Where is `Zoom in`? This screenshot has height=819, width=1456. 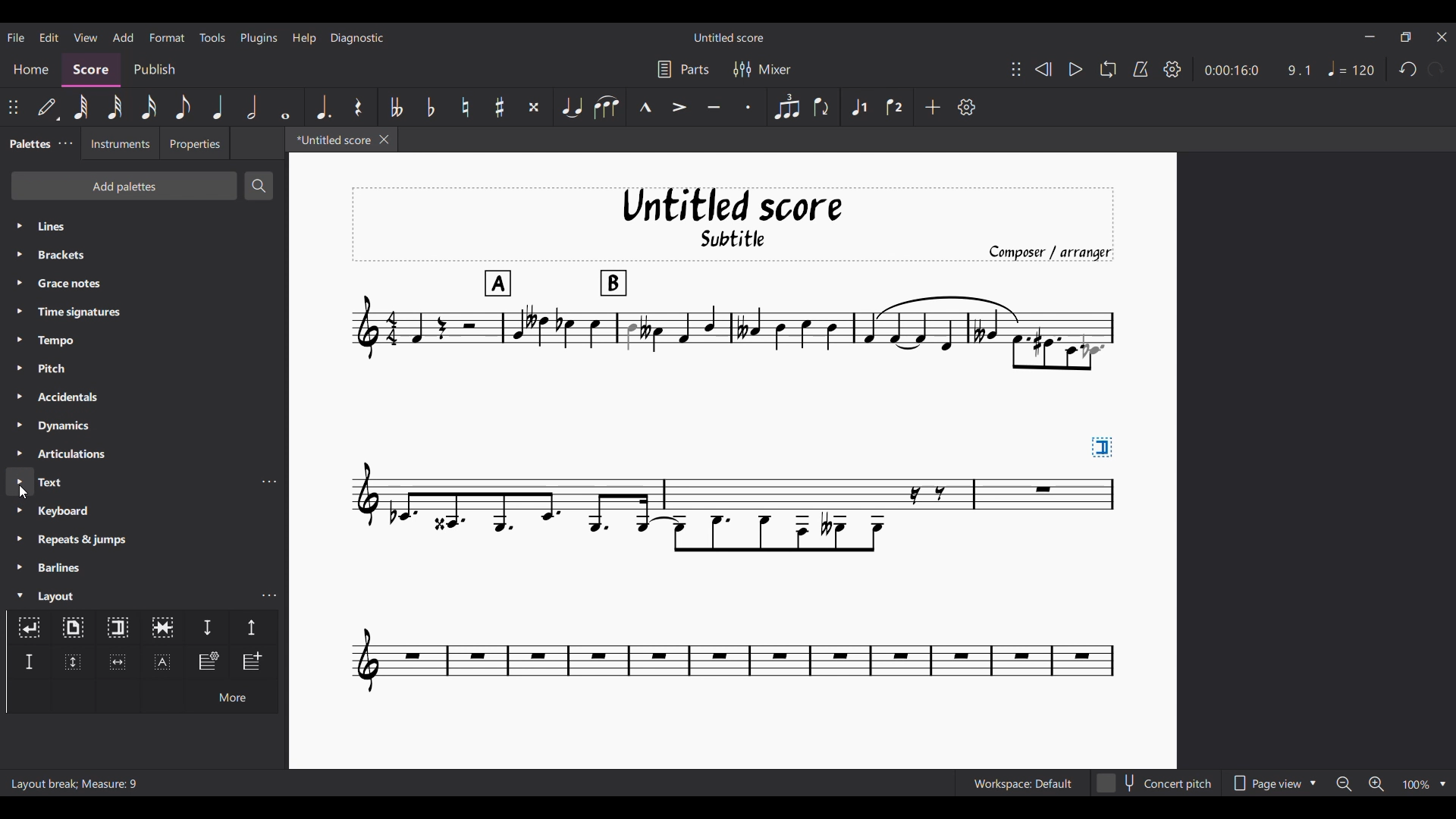 Zoom in is located at coordinates (1376, 783).